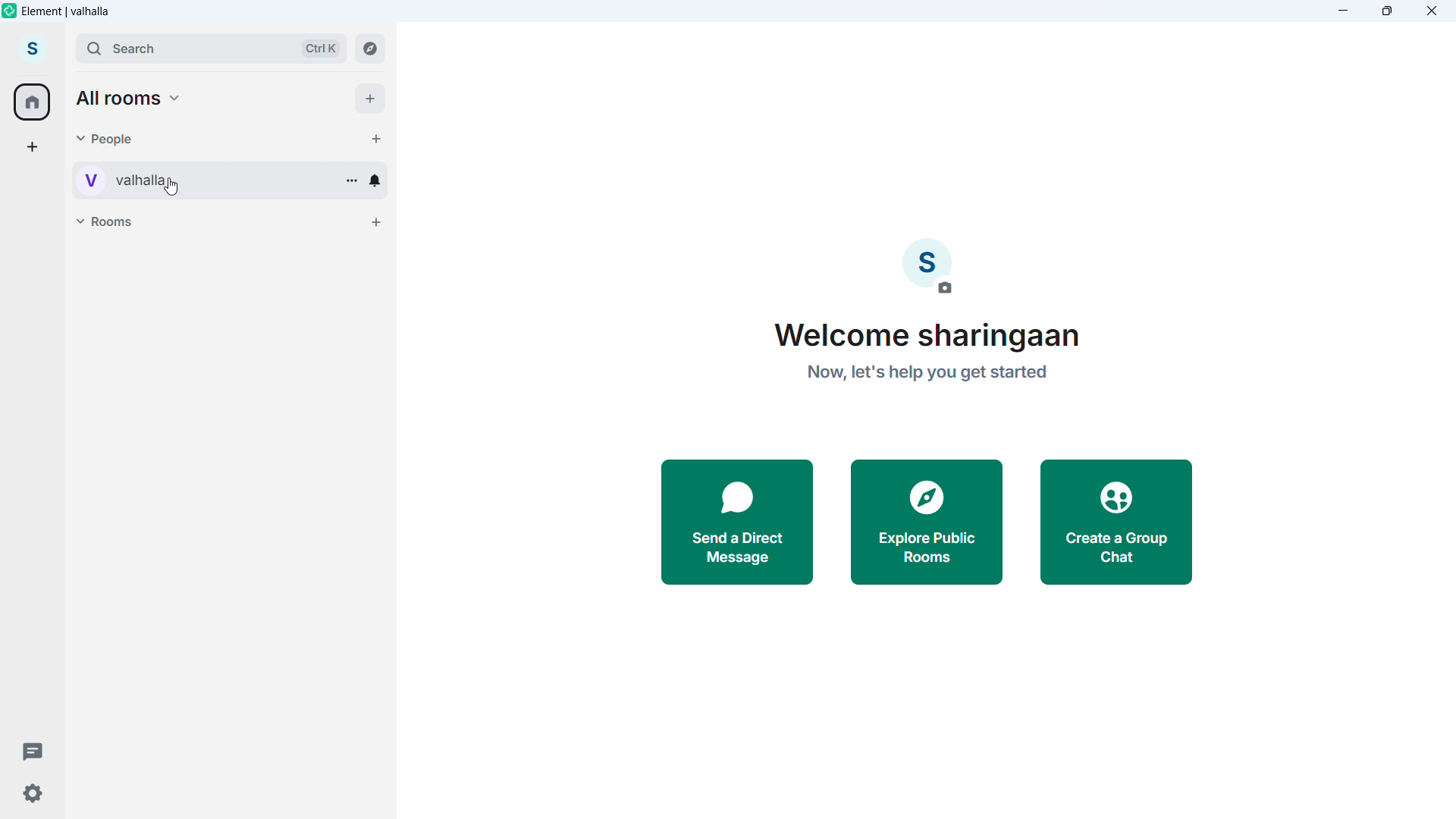 This screenshot has width=1456, height=819. What do you see at coordinates (211, 49) in the screenshot?
I see `Search` at bounding box center [211, 49].